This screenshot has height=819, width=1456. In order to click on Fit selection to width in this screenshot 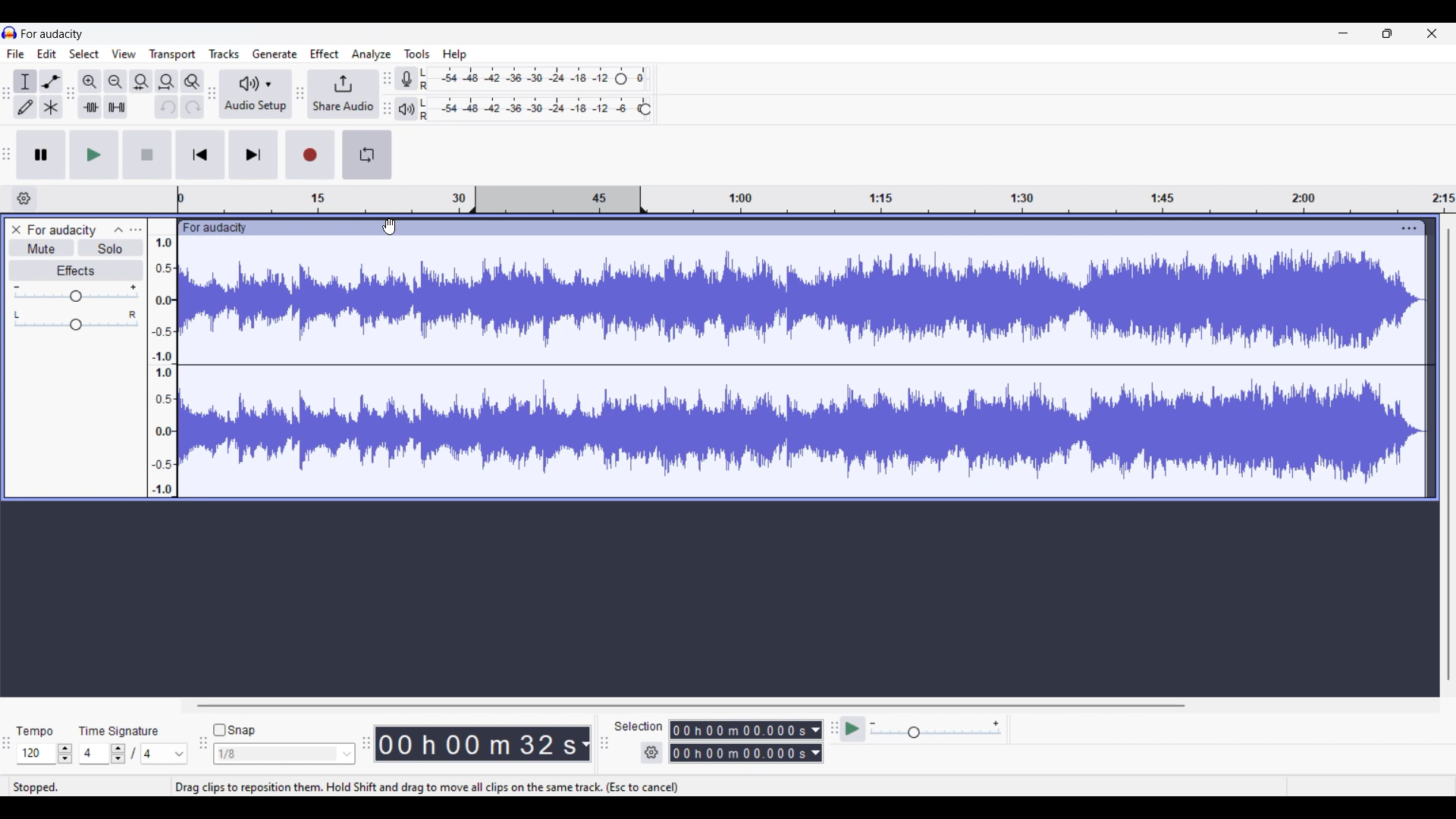, I will do `click(141, 81)`.